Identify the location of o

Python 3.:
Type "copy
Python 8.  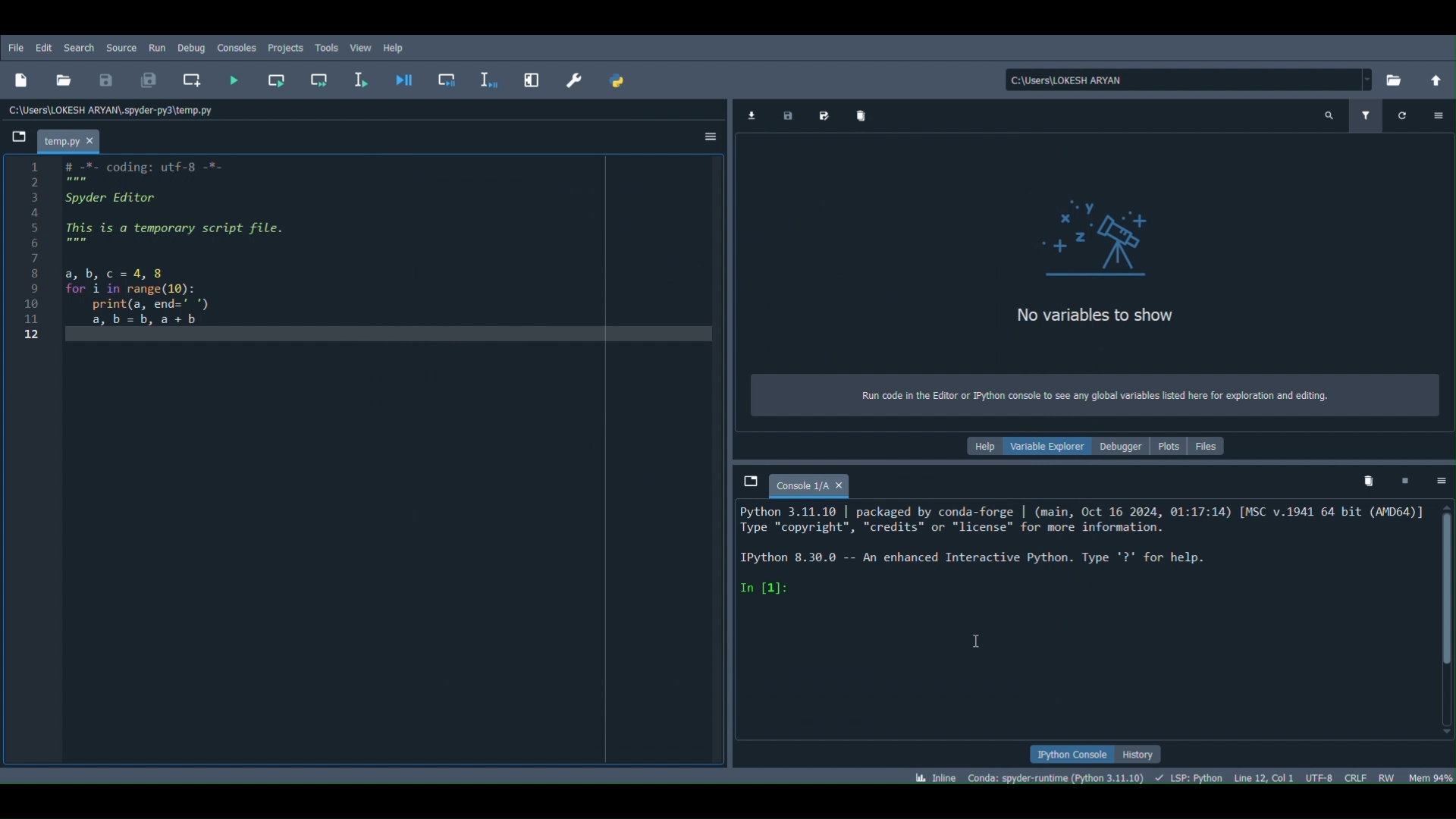
(212, 263).